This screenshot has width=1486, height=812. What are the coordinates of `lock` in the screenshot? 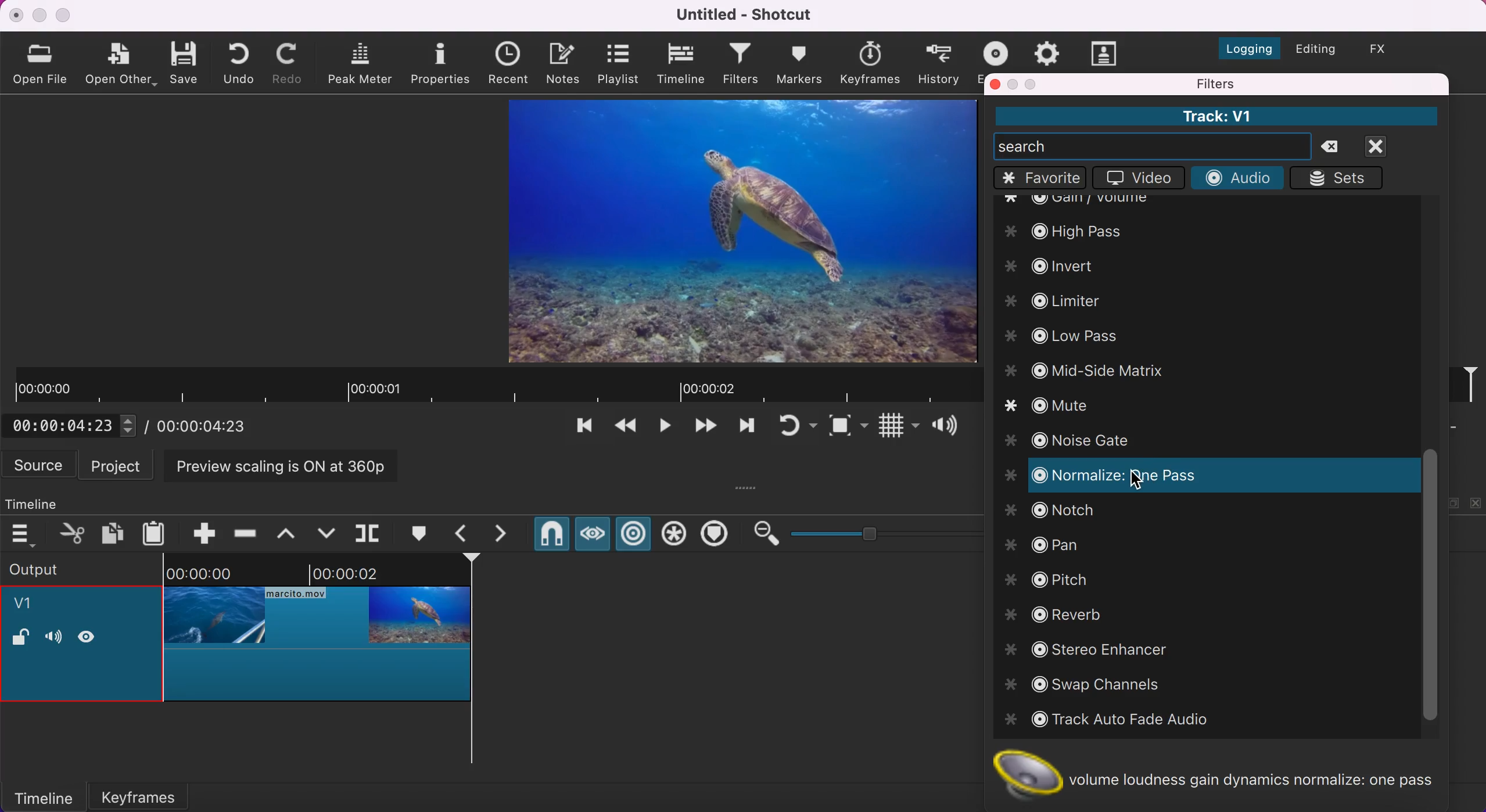 It's located at (20, 639).